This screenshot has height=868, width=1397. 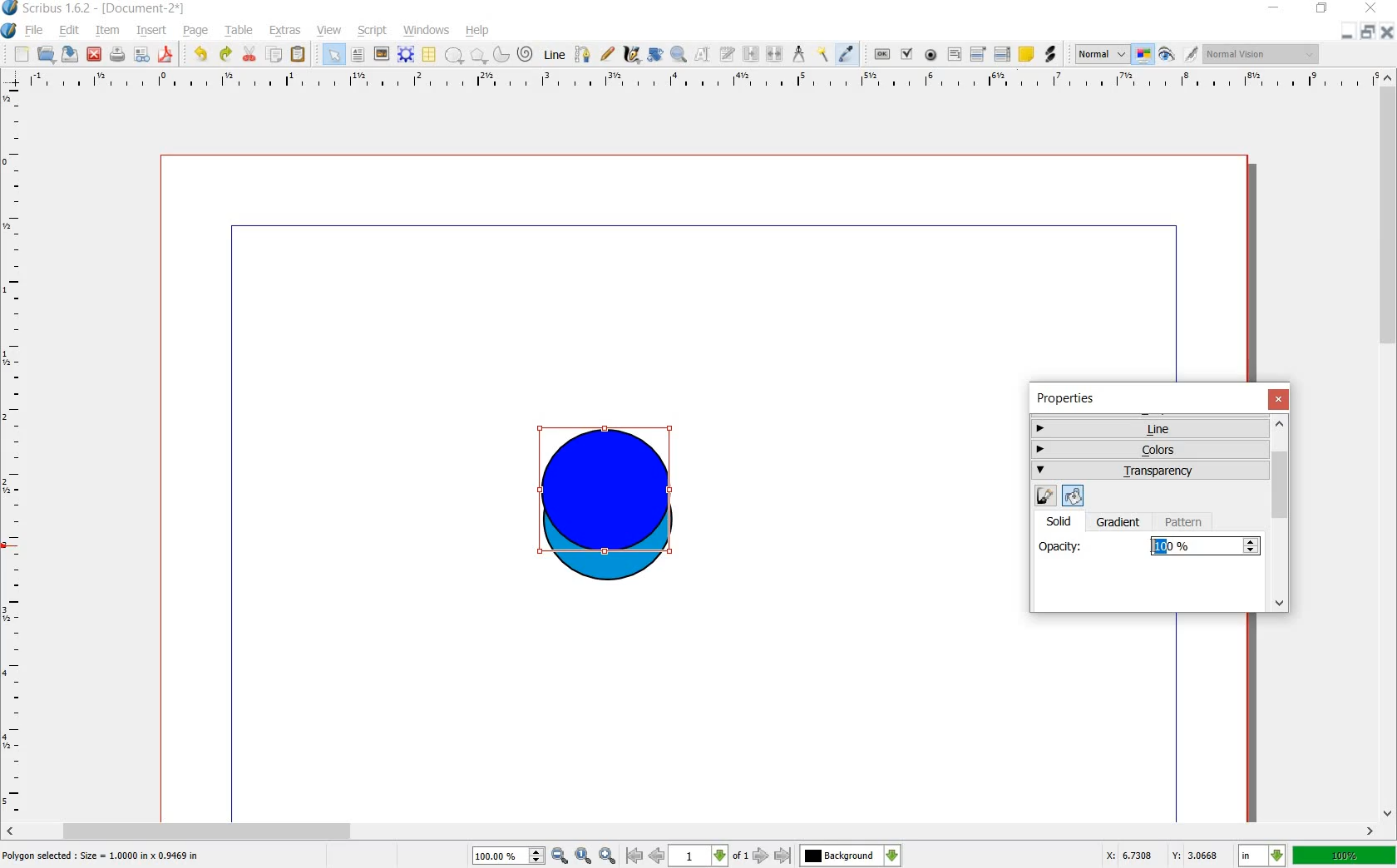 I want to click on edit, so click(x=72, y=32).